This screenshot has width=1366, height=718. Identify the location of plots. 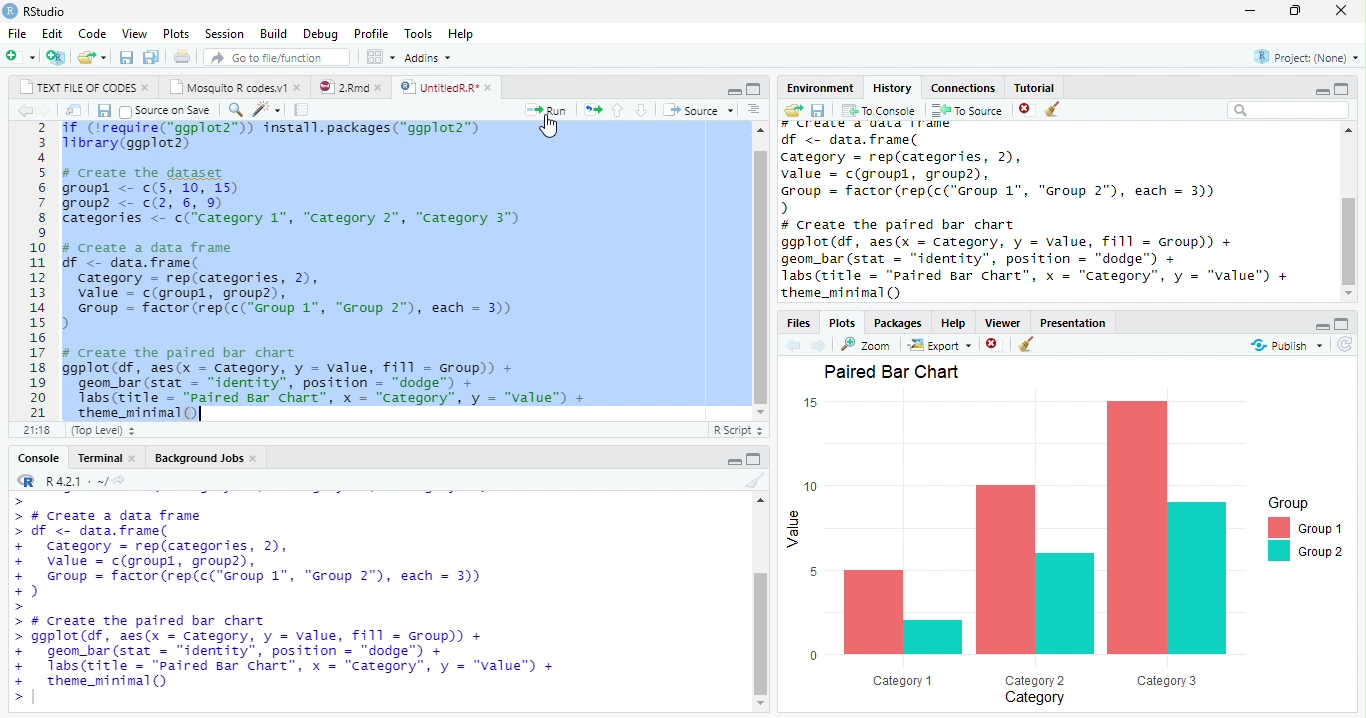
(174, 32).